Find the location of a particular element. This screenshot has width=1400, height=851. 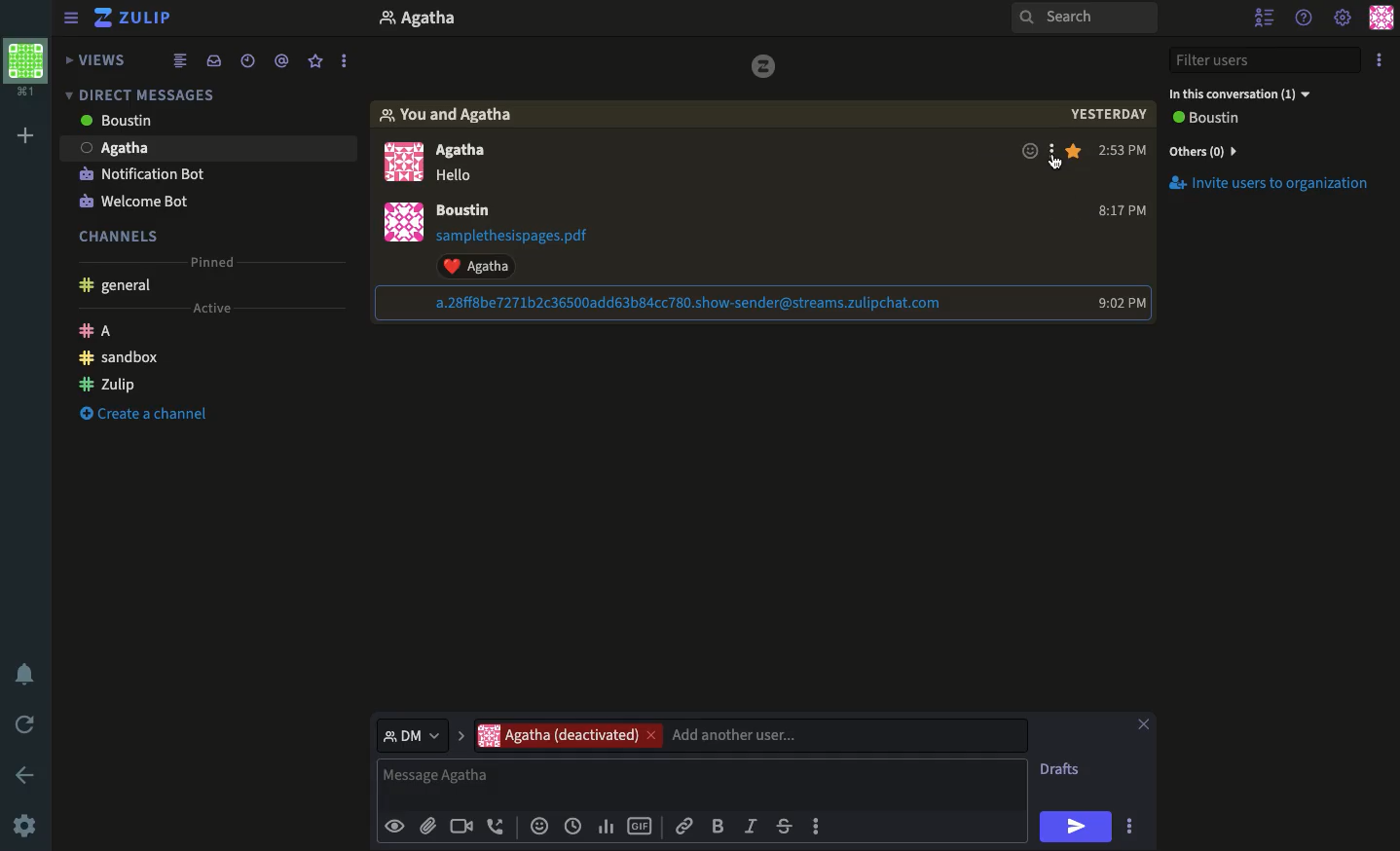

user is located at coordinates (467, 213).